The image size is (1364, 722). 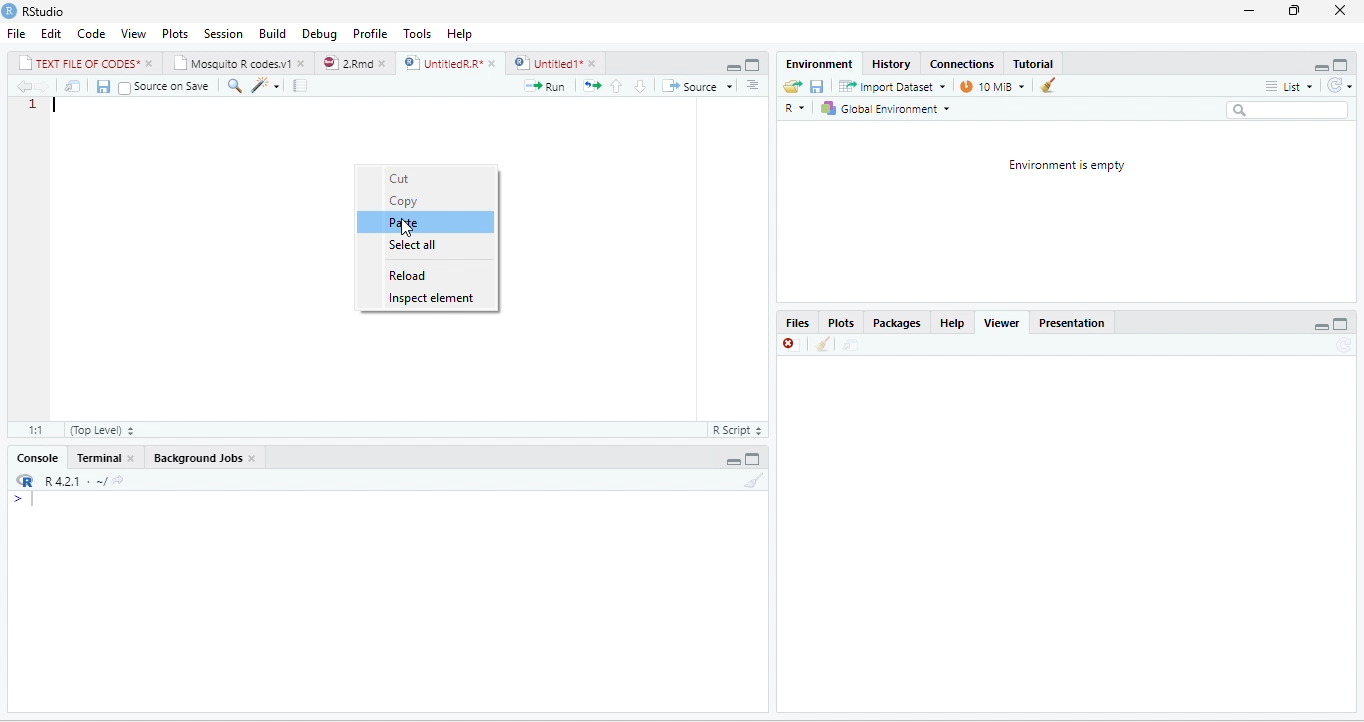 What do you see at coordinates (1291, 87) in the screenshot?
I see `list` at bounding box center [1291, 87].